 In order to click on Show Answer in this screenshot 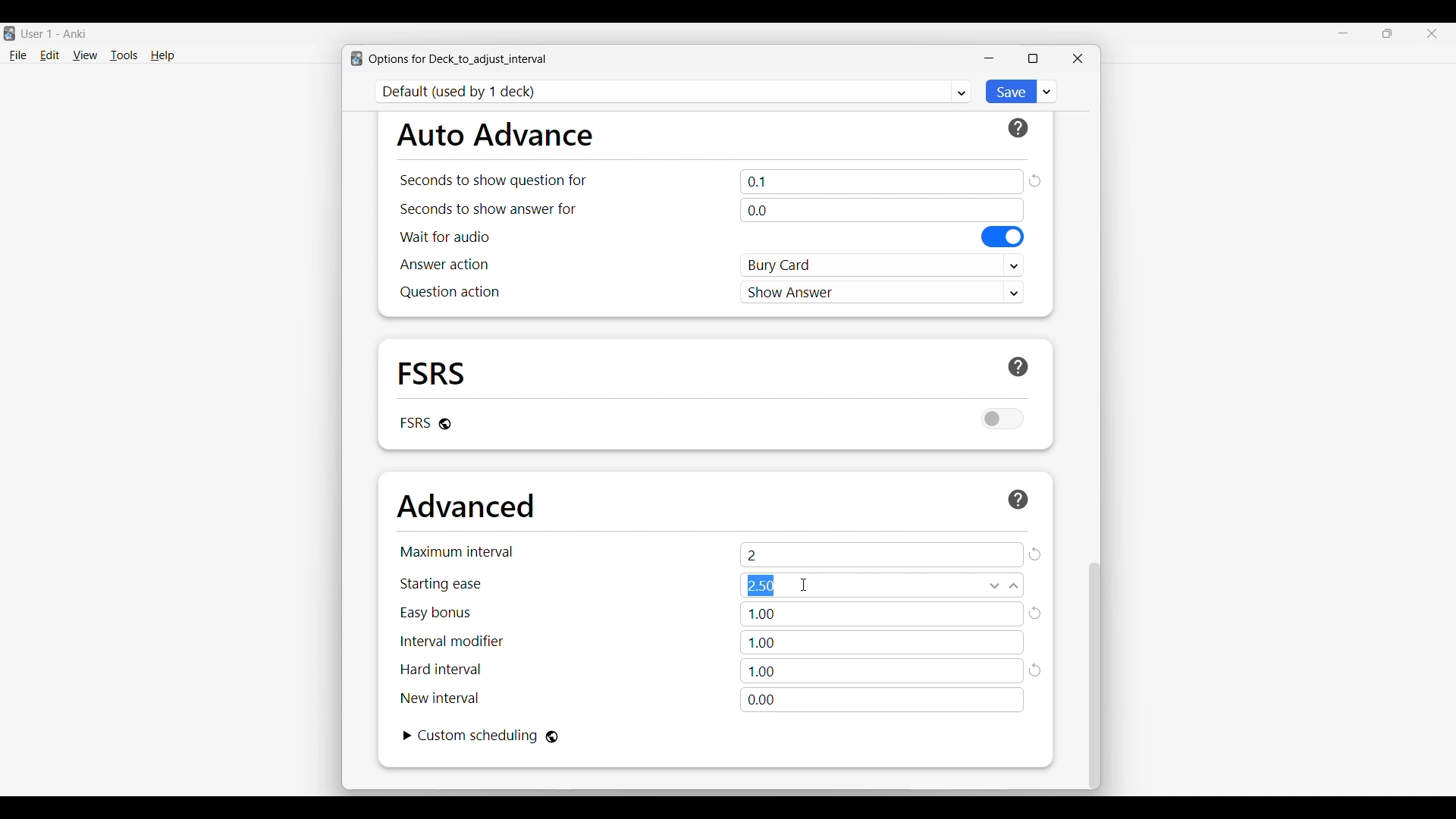, I will do `click(883, 291)`.